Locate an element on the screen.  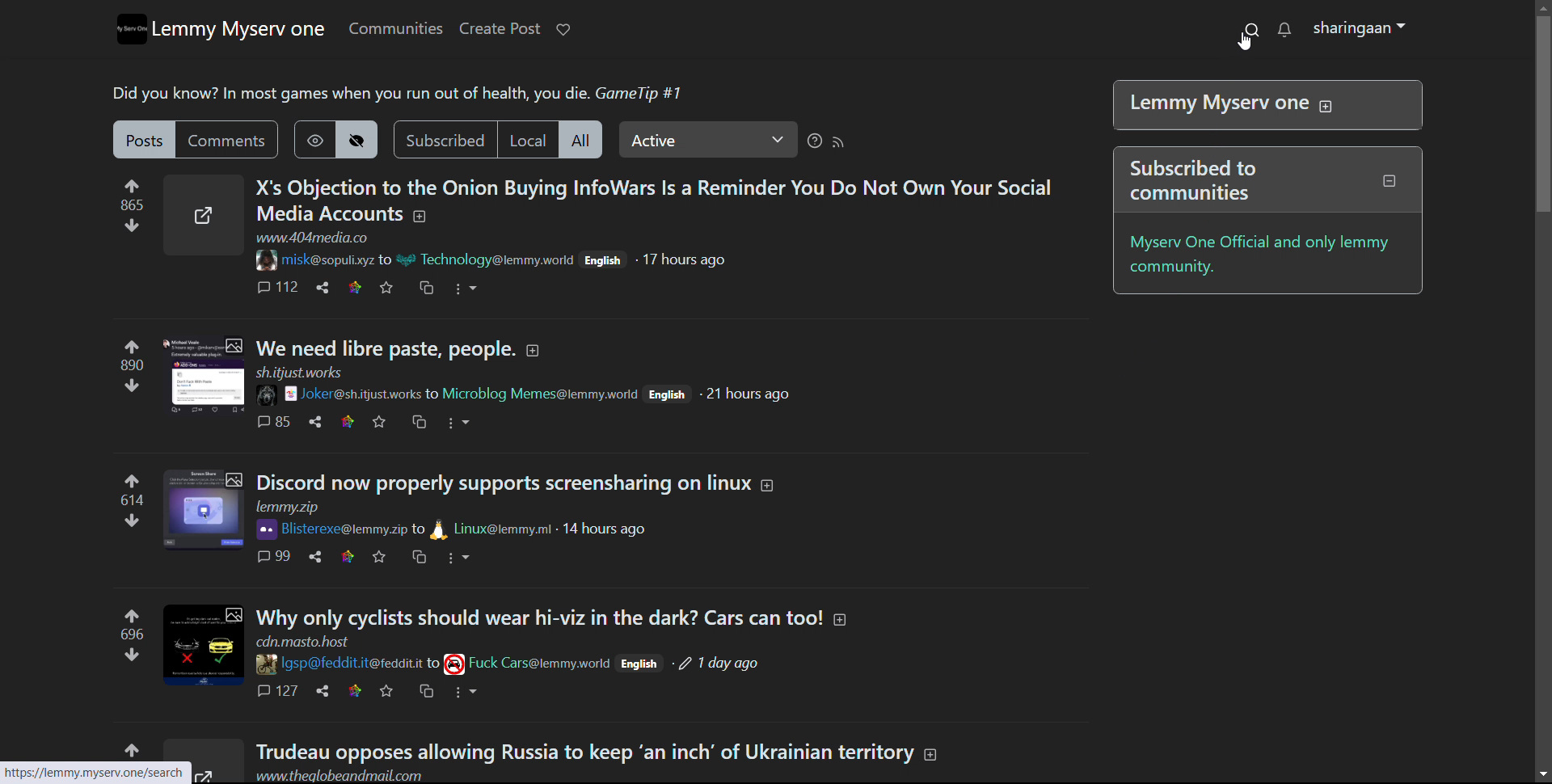
link is located at coordinates (347, 556).